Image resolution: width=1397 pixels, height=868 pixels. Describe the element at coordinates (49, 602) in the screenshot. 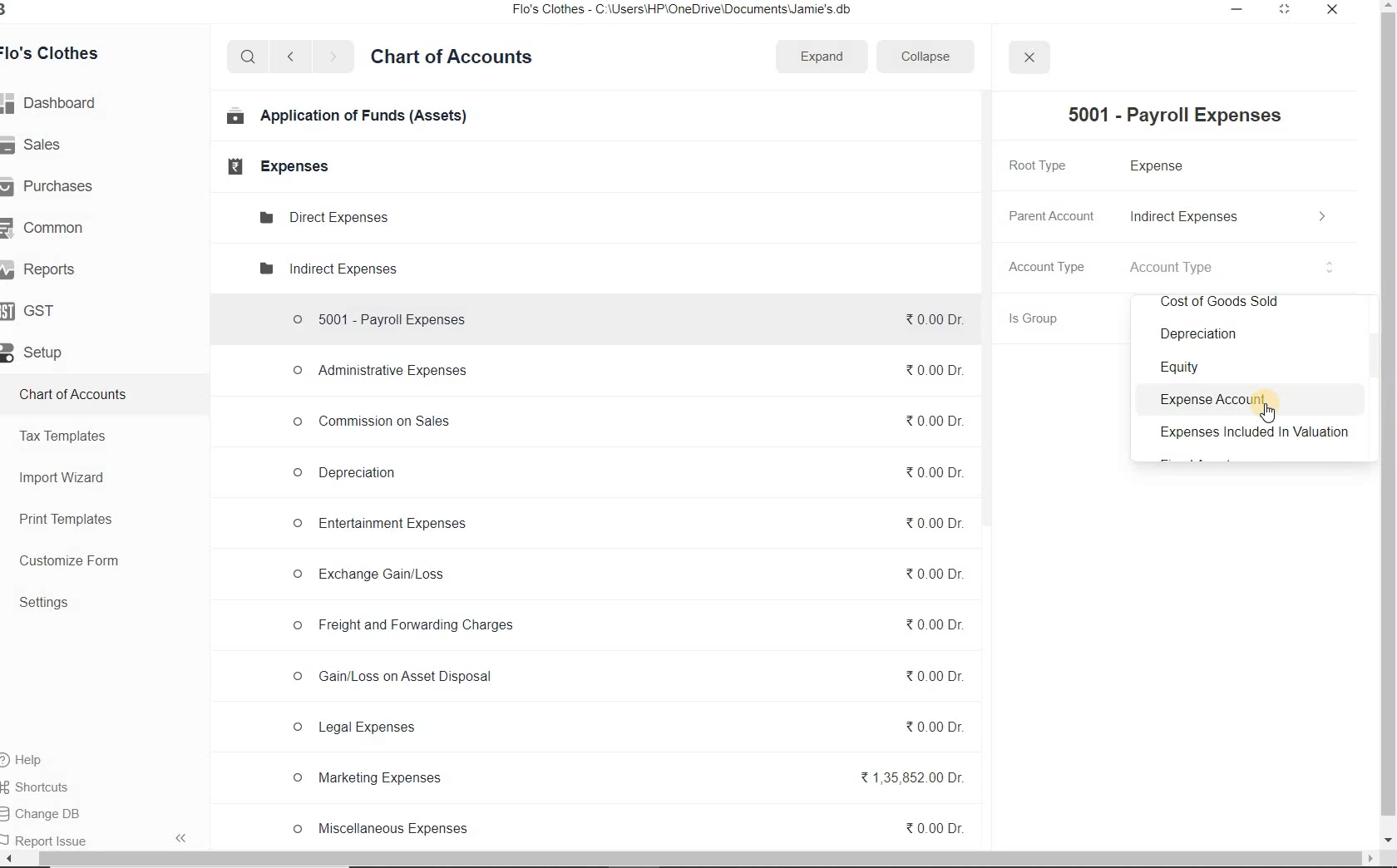

I see `Settings` at that location.